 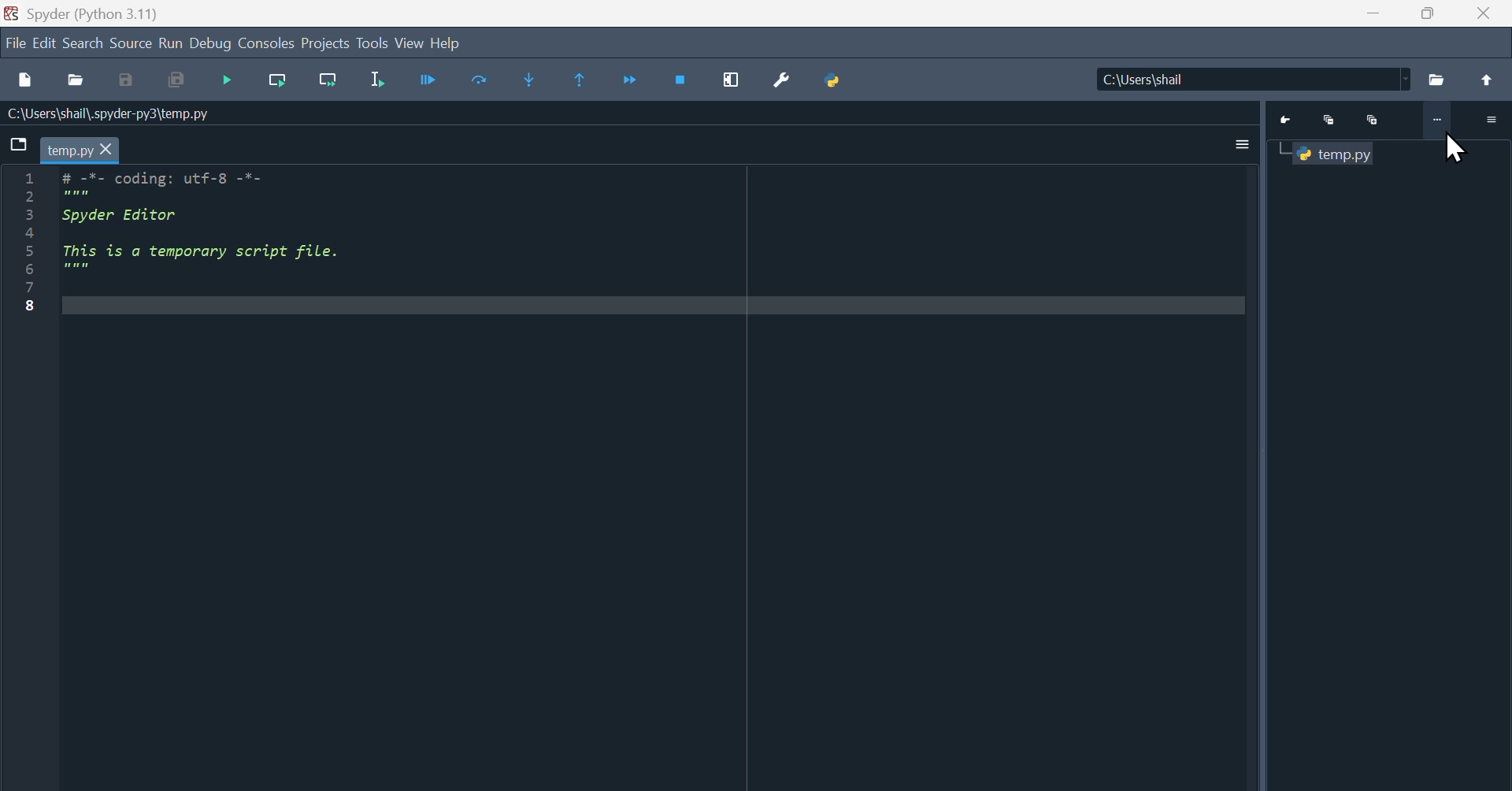 What do you see at coordinates (267, 44) in the screenshot?
I see `Consoles` at bounding box center [267, 44].